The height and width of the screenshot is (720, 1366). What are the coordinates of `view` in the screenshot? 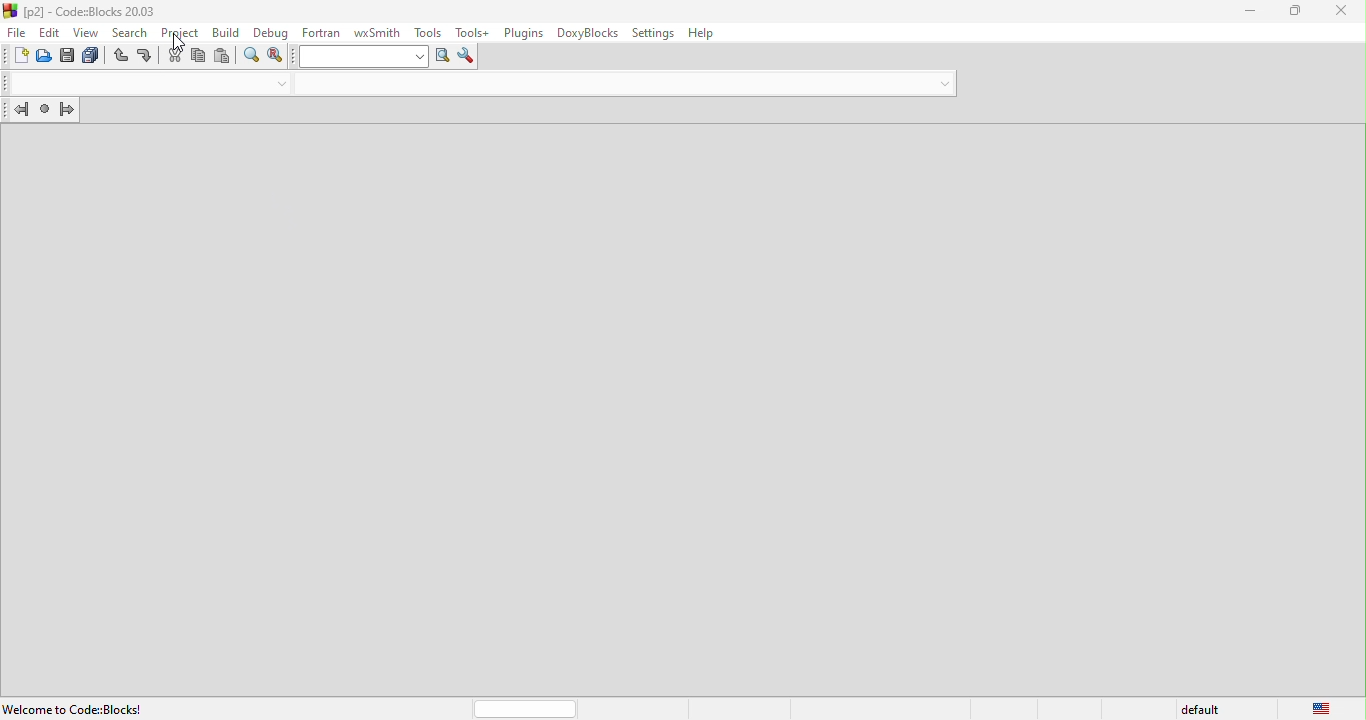 It's located at (89, 32).